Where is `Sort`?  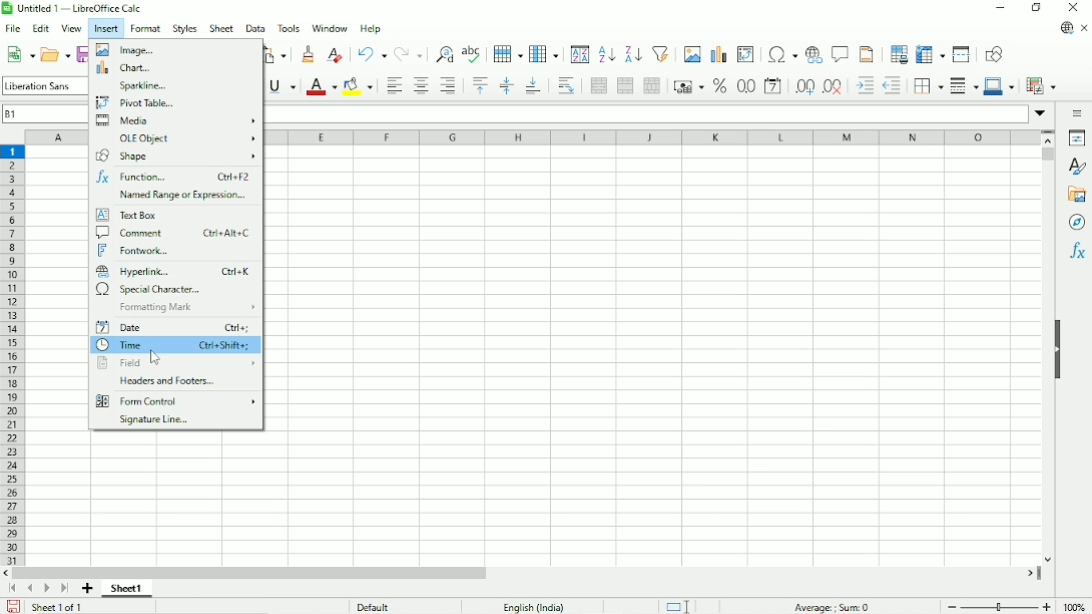 Sort is located at coordinates (581, 53).